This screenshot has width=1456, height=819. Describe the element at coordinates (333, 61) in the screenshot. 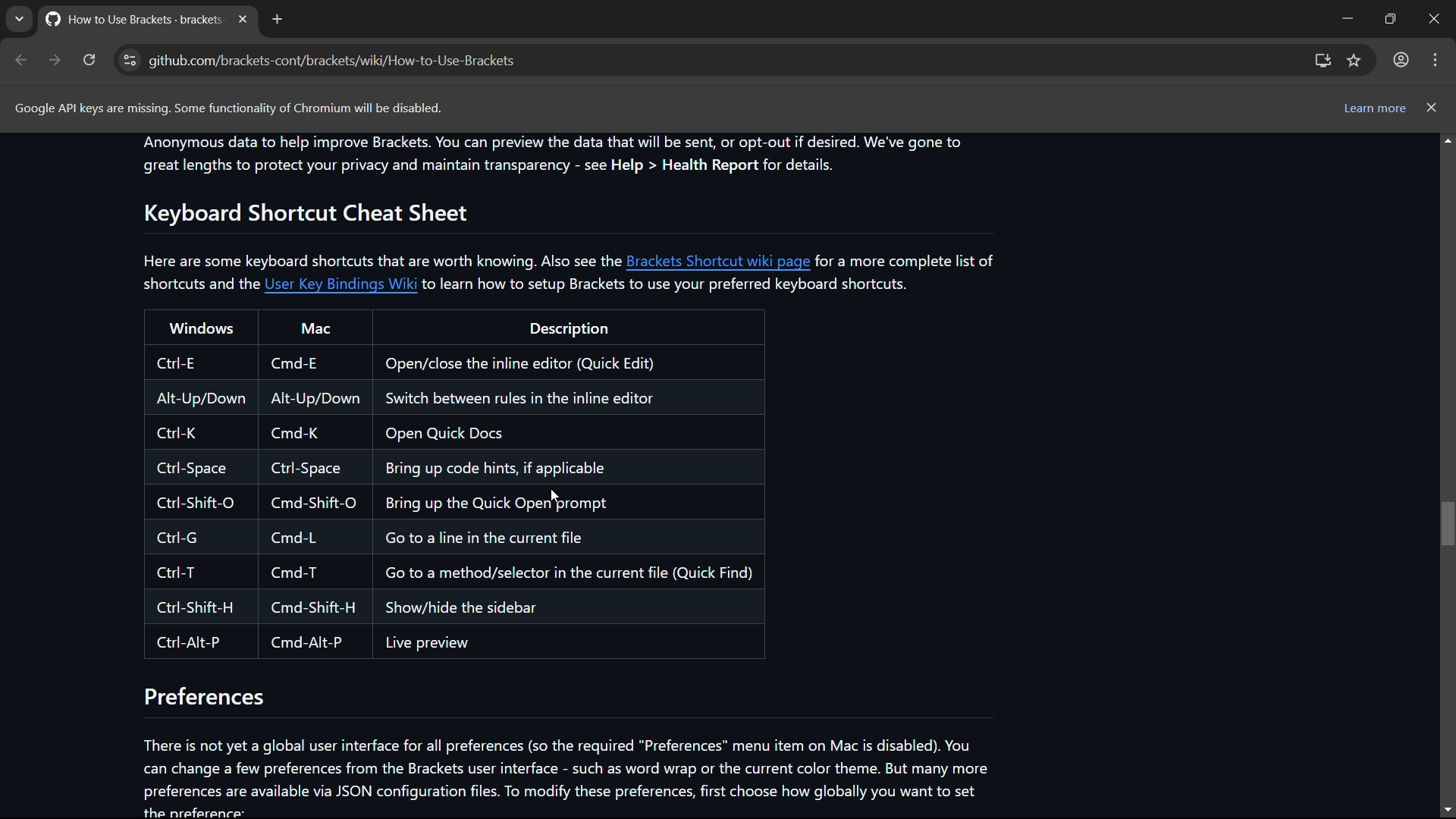

I see `github.com/brackets-cont/brackets/wiki/How-to-Use-Brackets` at that location.